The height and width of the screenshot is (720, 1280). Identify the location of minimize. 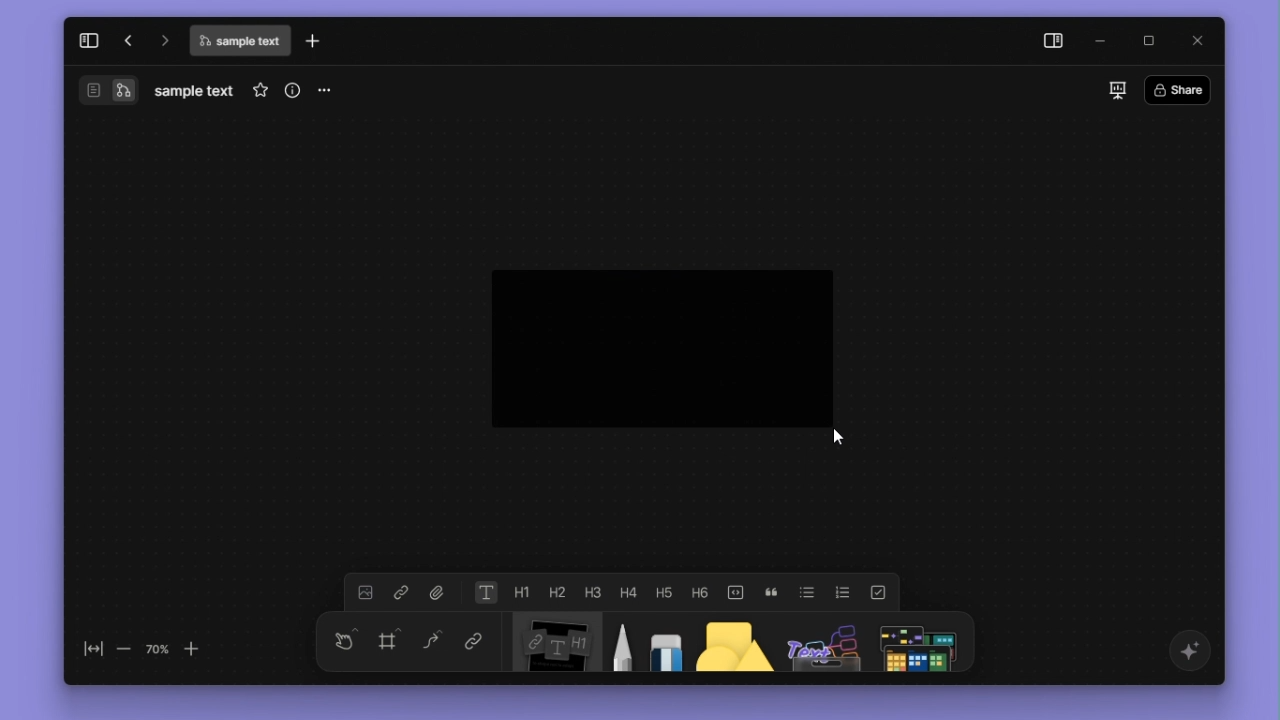
(1105, 40).